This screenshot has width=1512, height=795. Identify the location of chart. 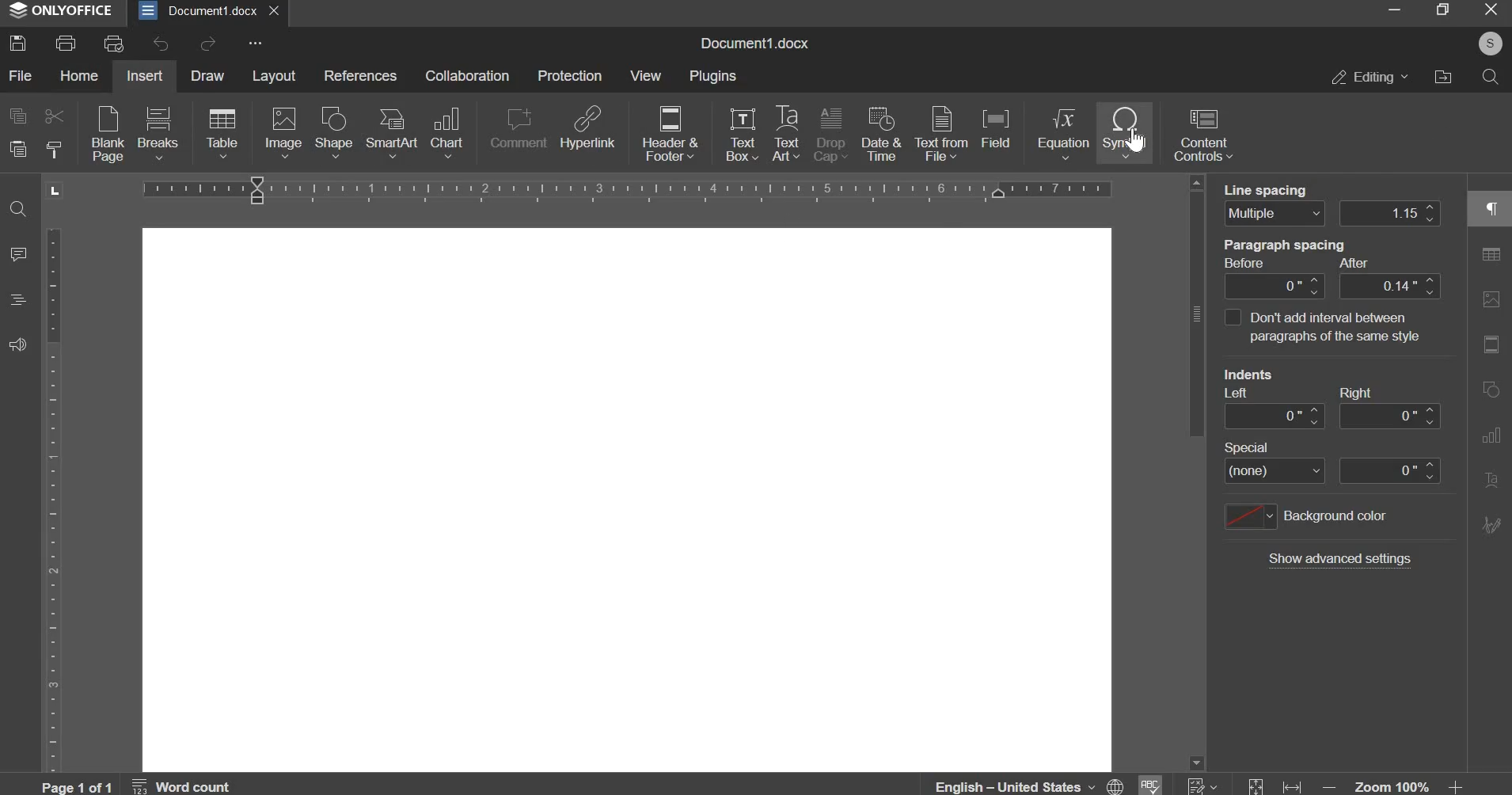
(447, 132).